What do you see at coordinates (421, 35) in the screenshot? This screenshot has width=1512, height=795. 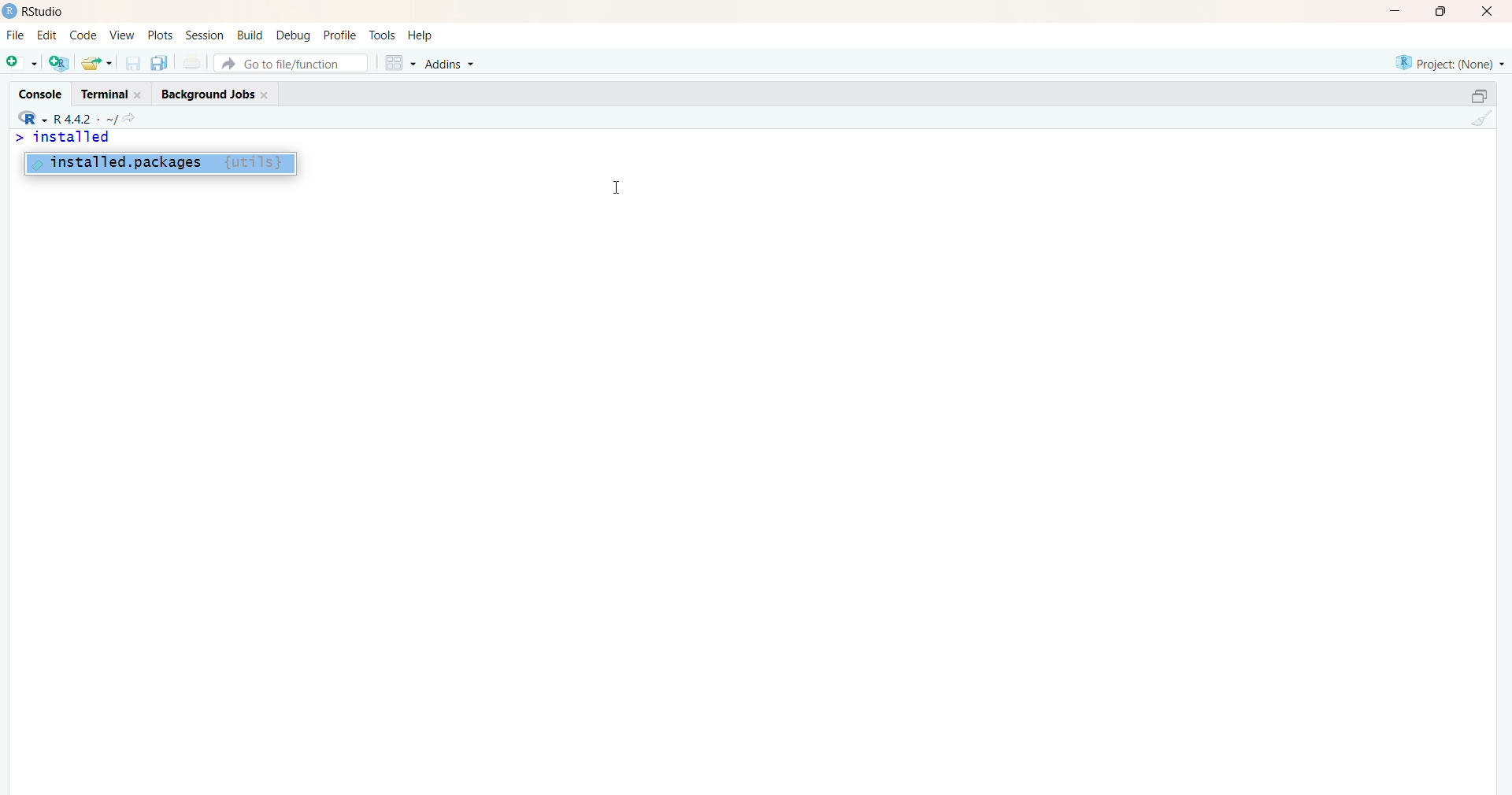 I see `help` at bounding box center [421, 35].